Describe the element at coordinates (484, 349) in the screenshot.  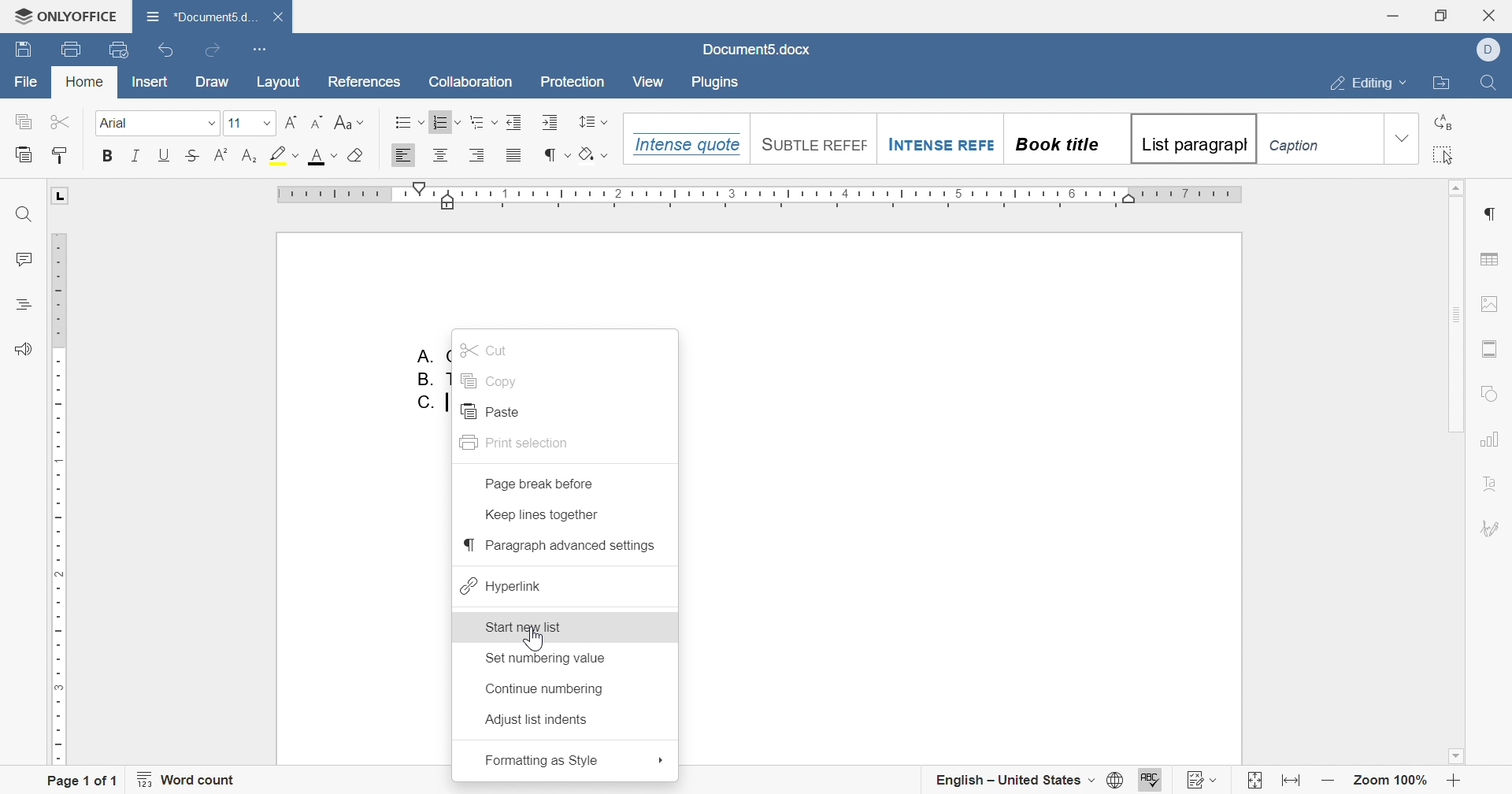
I see `cut` at that location.